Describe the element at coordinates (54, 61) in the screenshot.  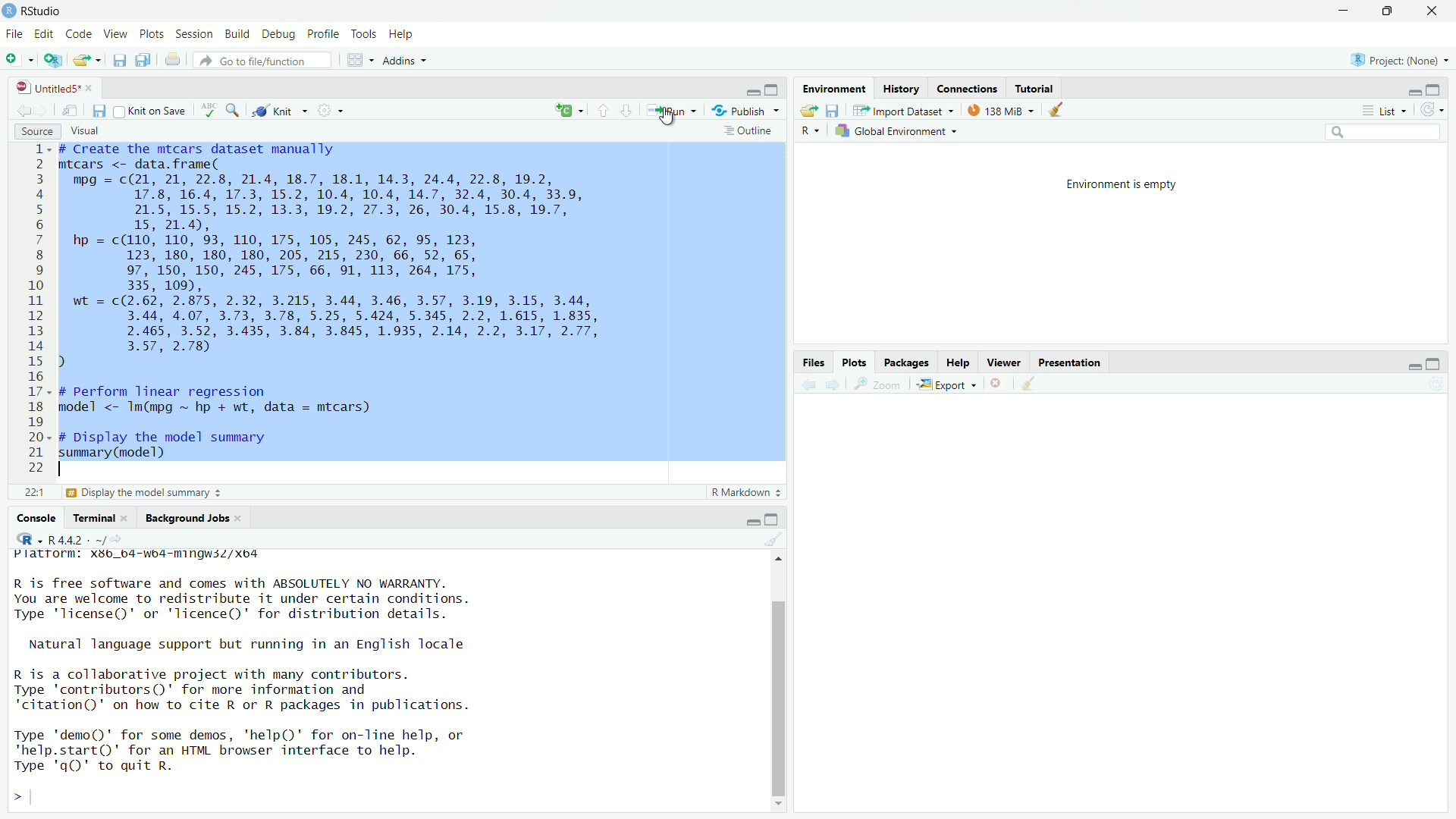
I see `create project` at that location.